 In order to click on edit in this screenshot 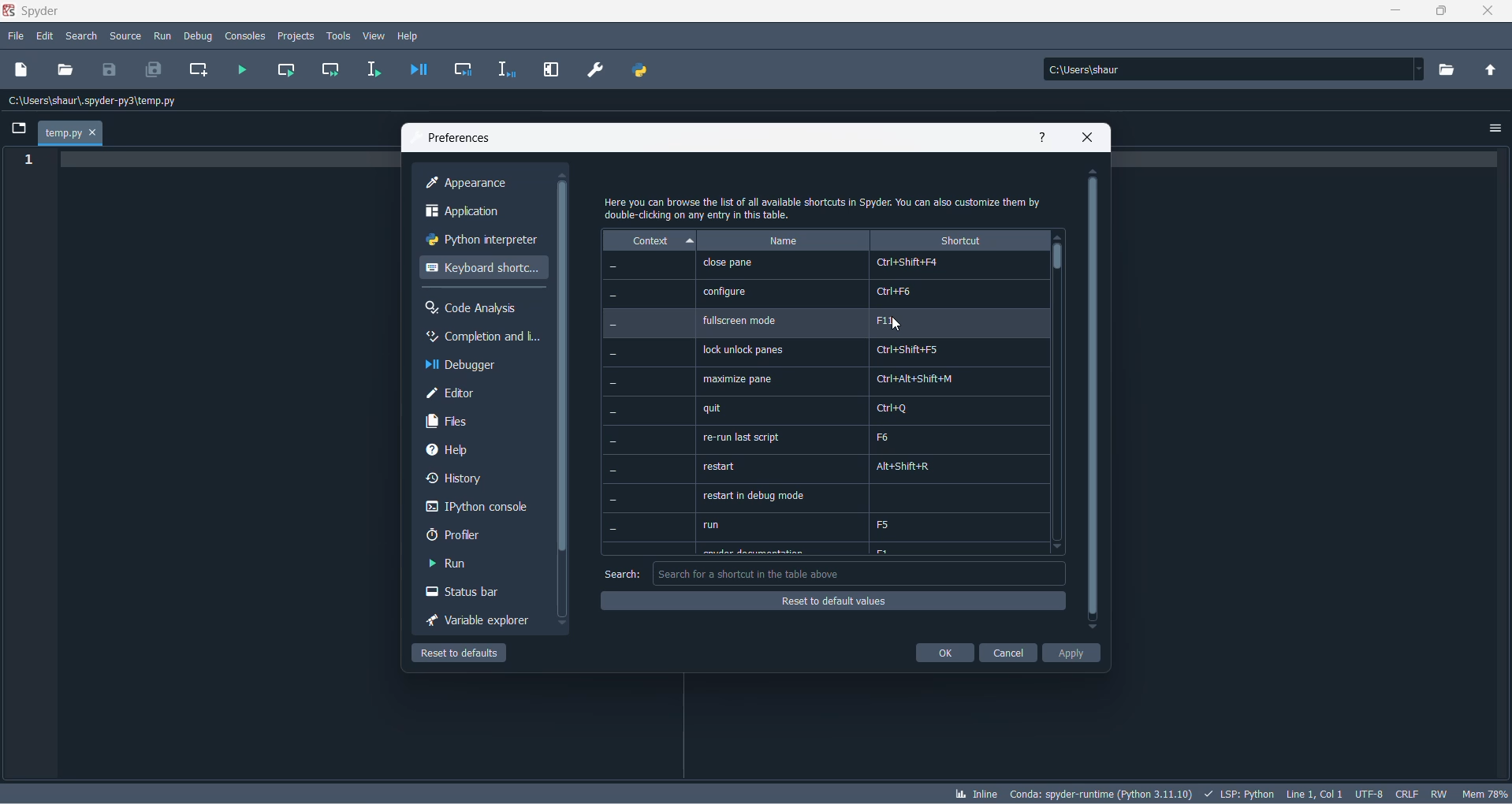, I will do `click(46, 36)`.